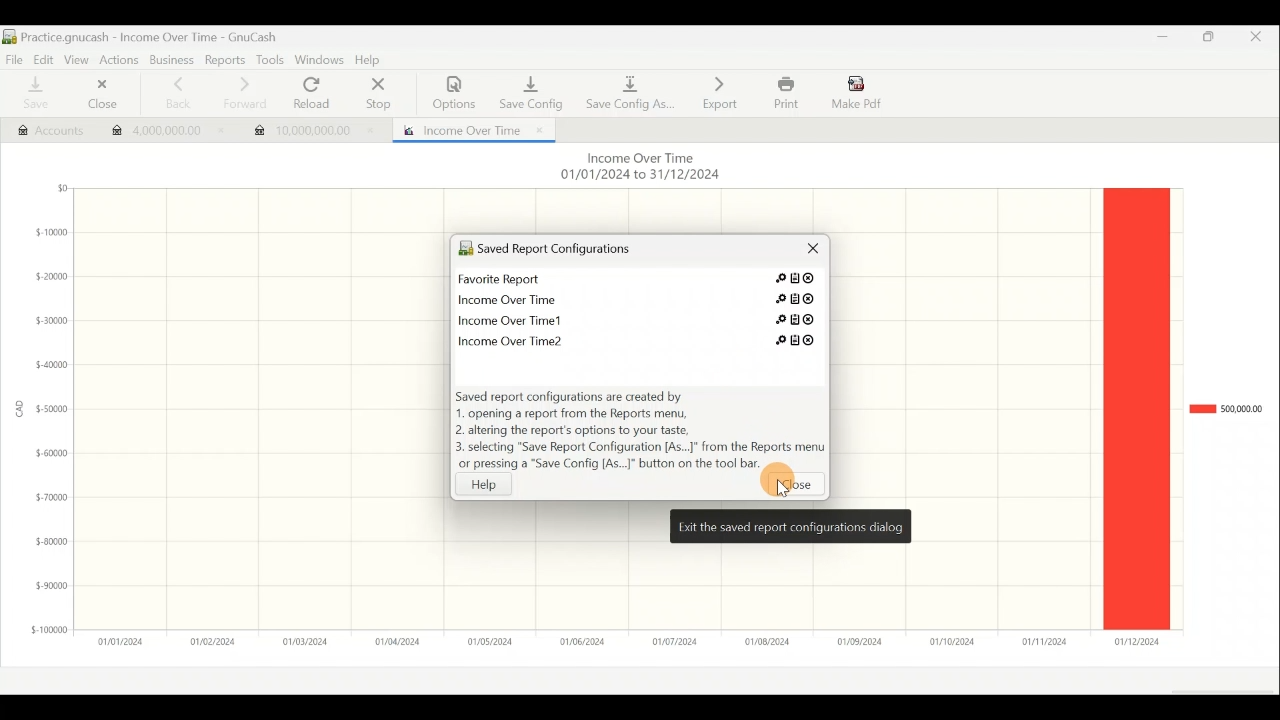 Image resolution: width=1280 pixels, height=720 pixels. Describe the element at coordinates (119, 59) in the screenshot. I see `Actions` at that location.